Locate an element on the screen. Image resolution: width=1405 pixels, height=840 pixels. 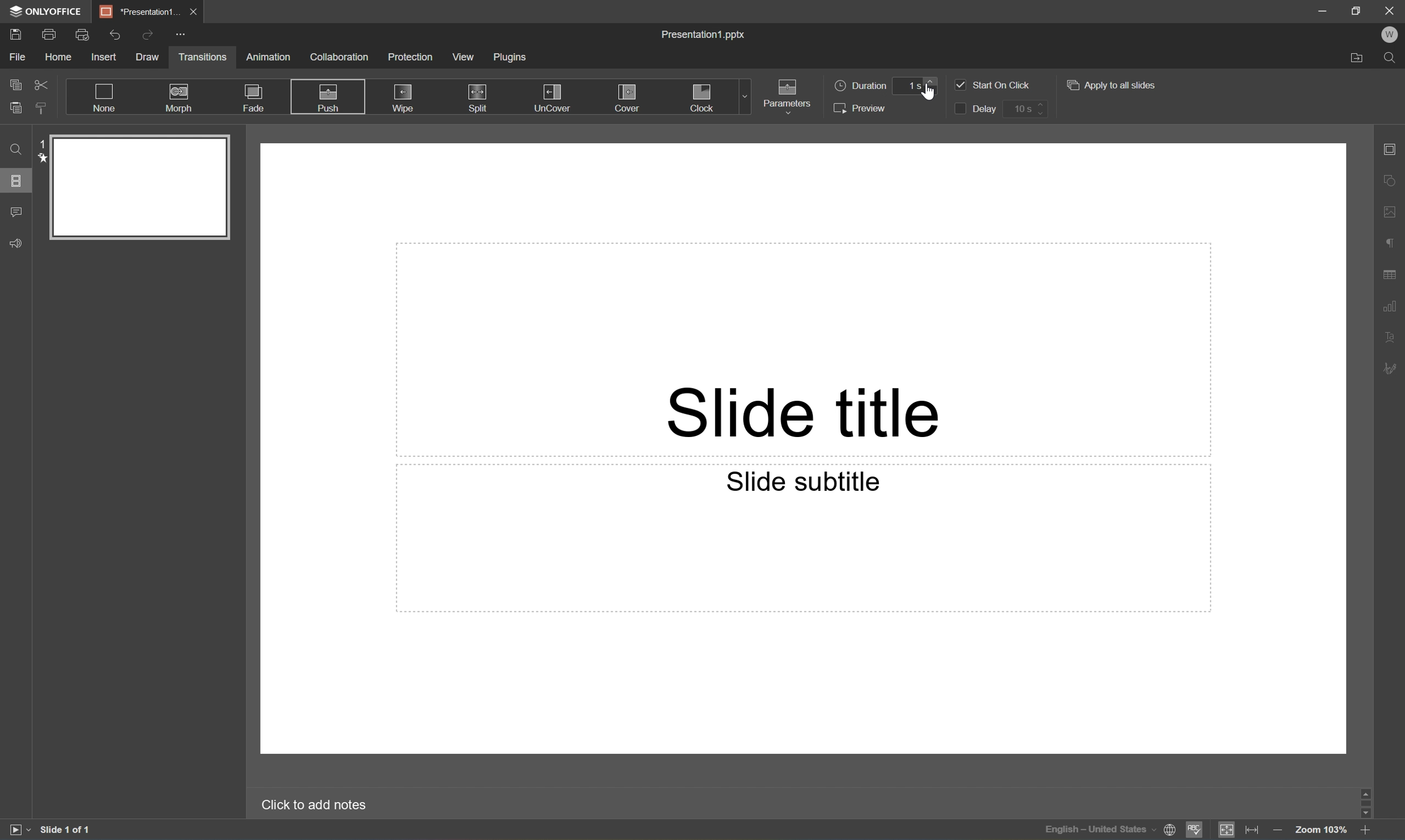
Zoom 103% is located at coordinates (1318, 831).